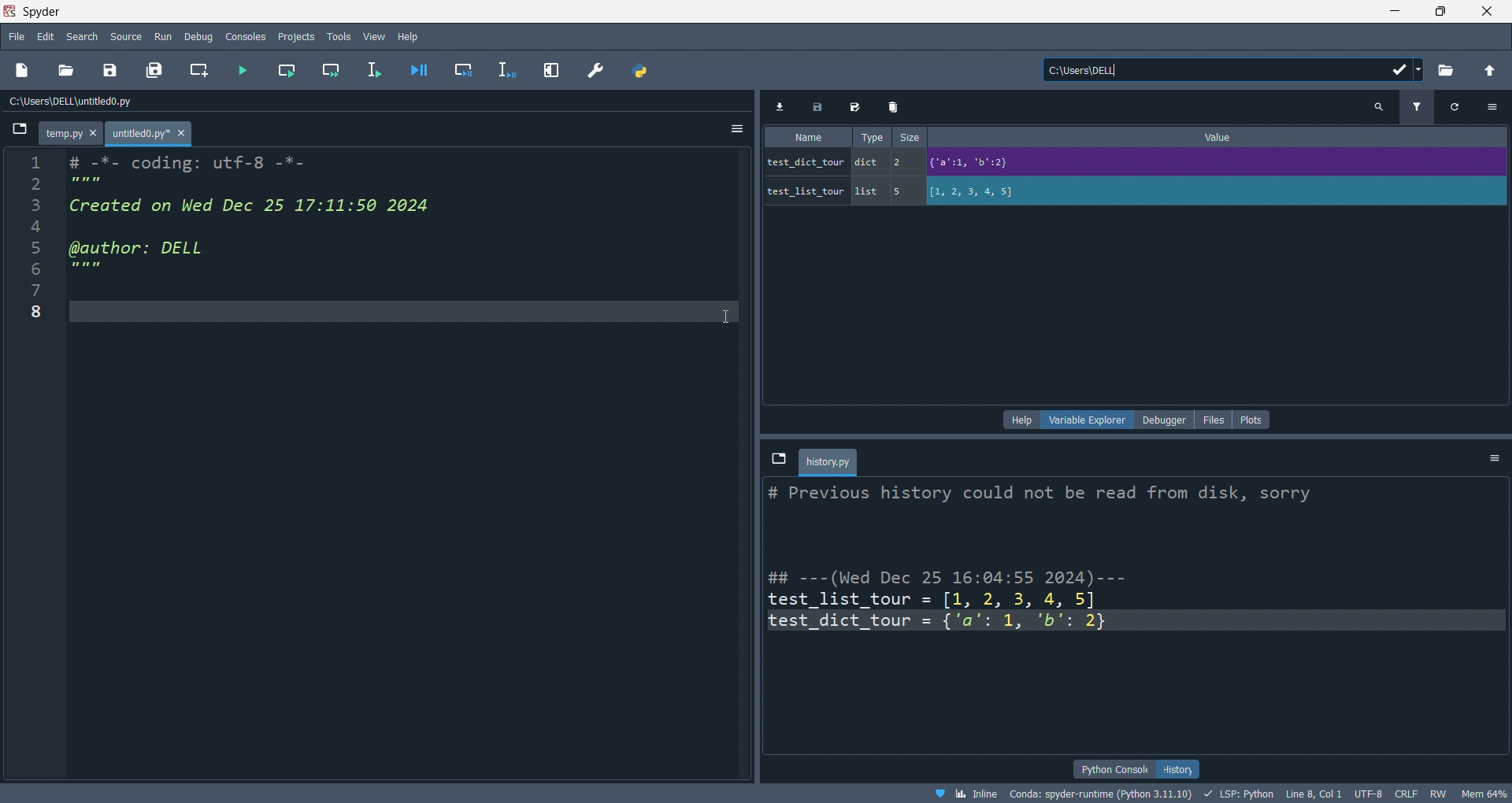 This screenshot has height=803, width=1512. Describe the element at coordinates (910, 138) in the screenshot. I see `size` at that location.